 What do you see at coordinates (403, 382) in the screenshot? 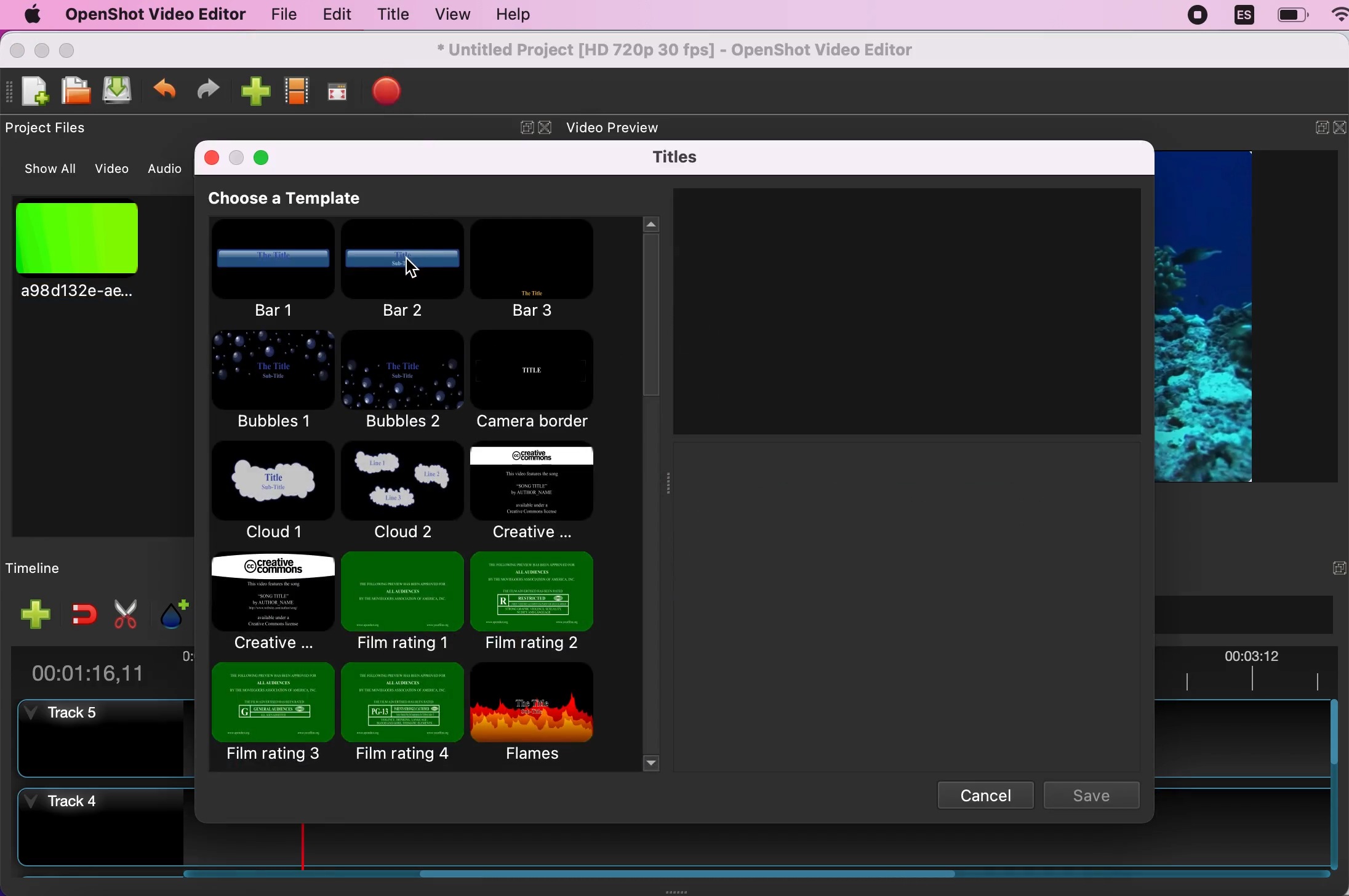
I see `bubbles 2` at bounding box center [403, 382].